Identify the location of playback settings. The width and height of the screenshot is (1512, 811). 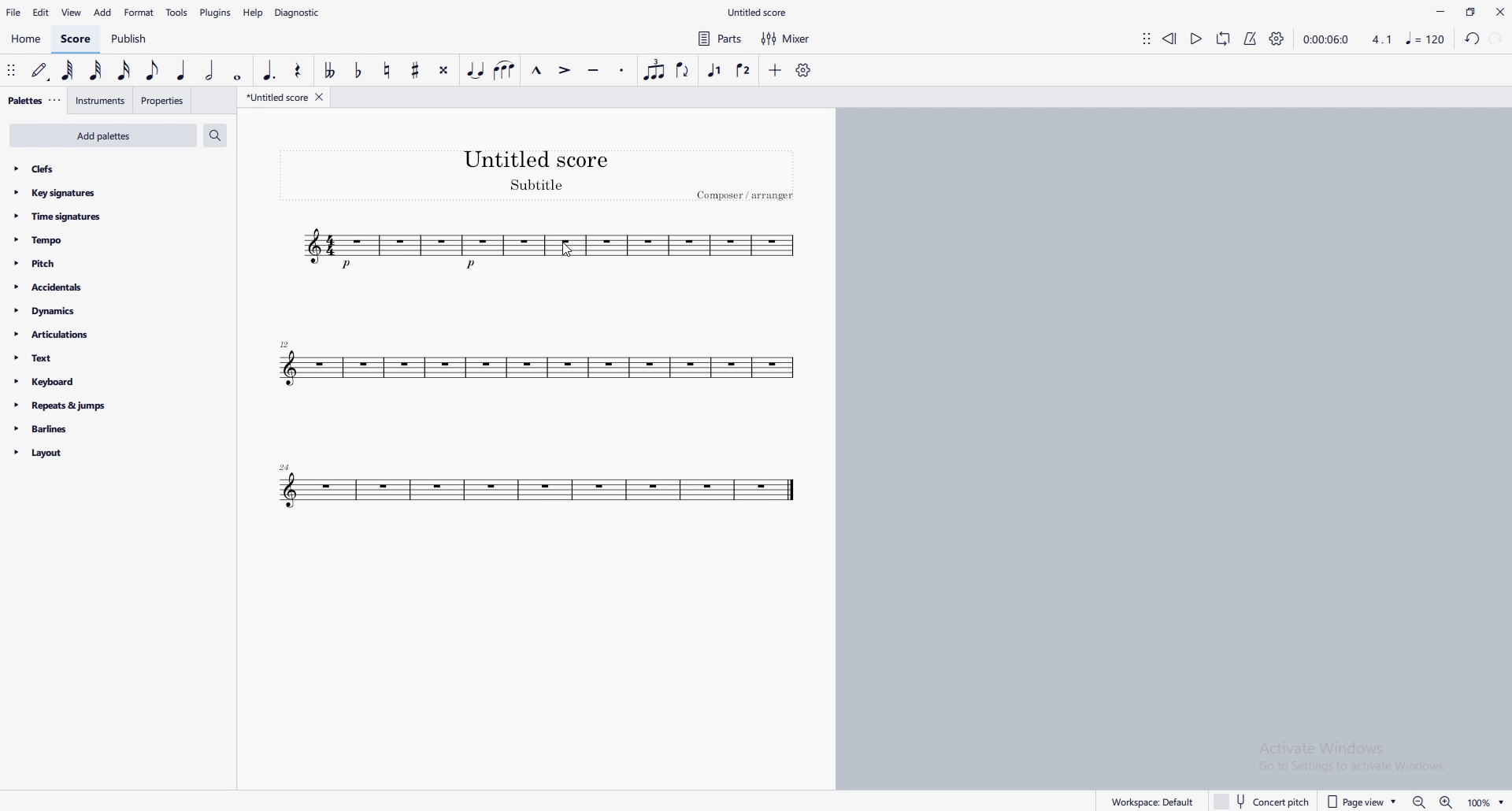
(1277, 38).